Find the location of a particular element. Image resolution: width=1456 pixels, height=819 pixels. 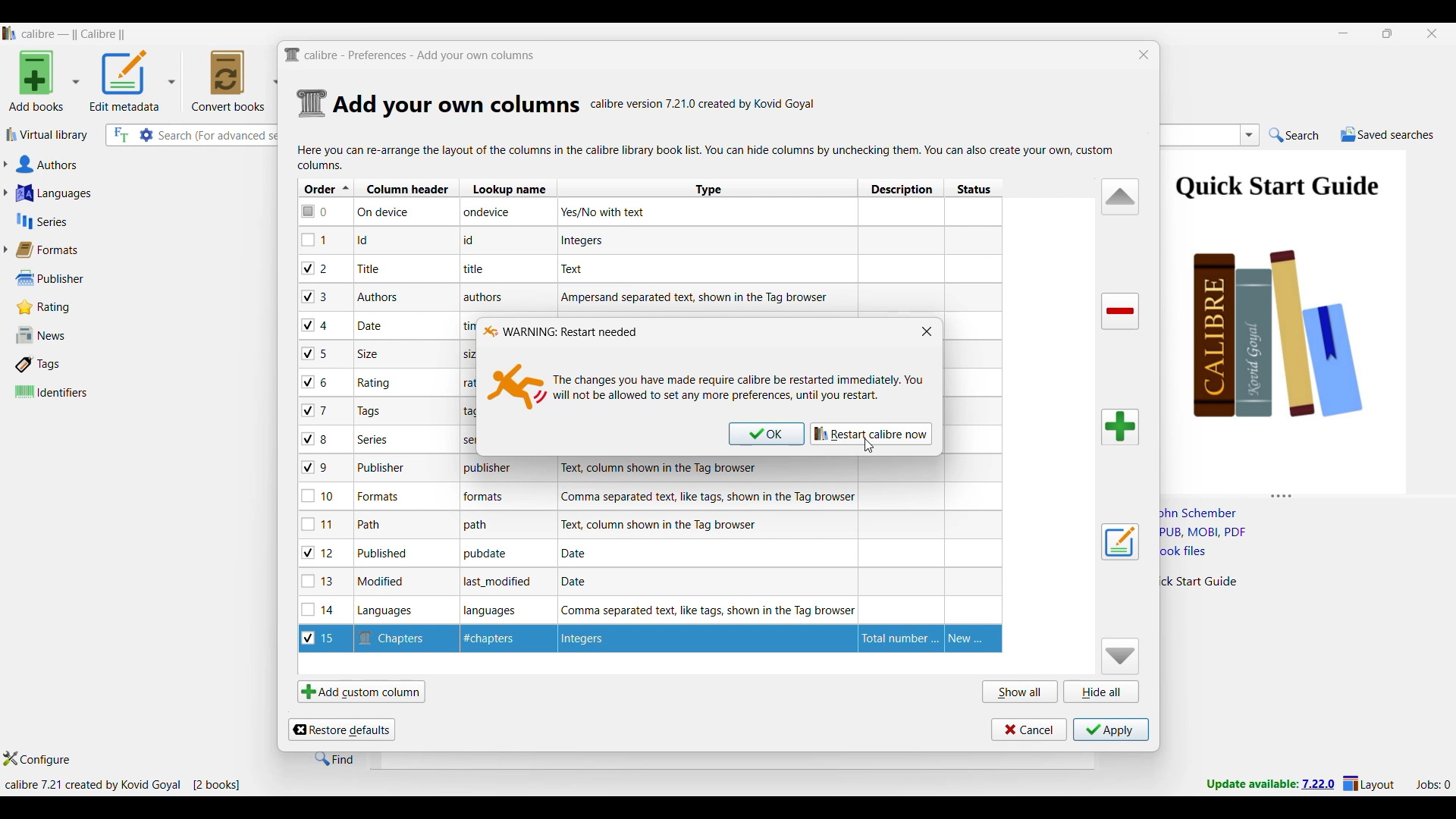

Restart later is located at coordinates (767, 434).